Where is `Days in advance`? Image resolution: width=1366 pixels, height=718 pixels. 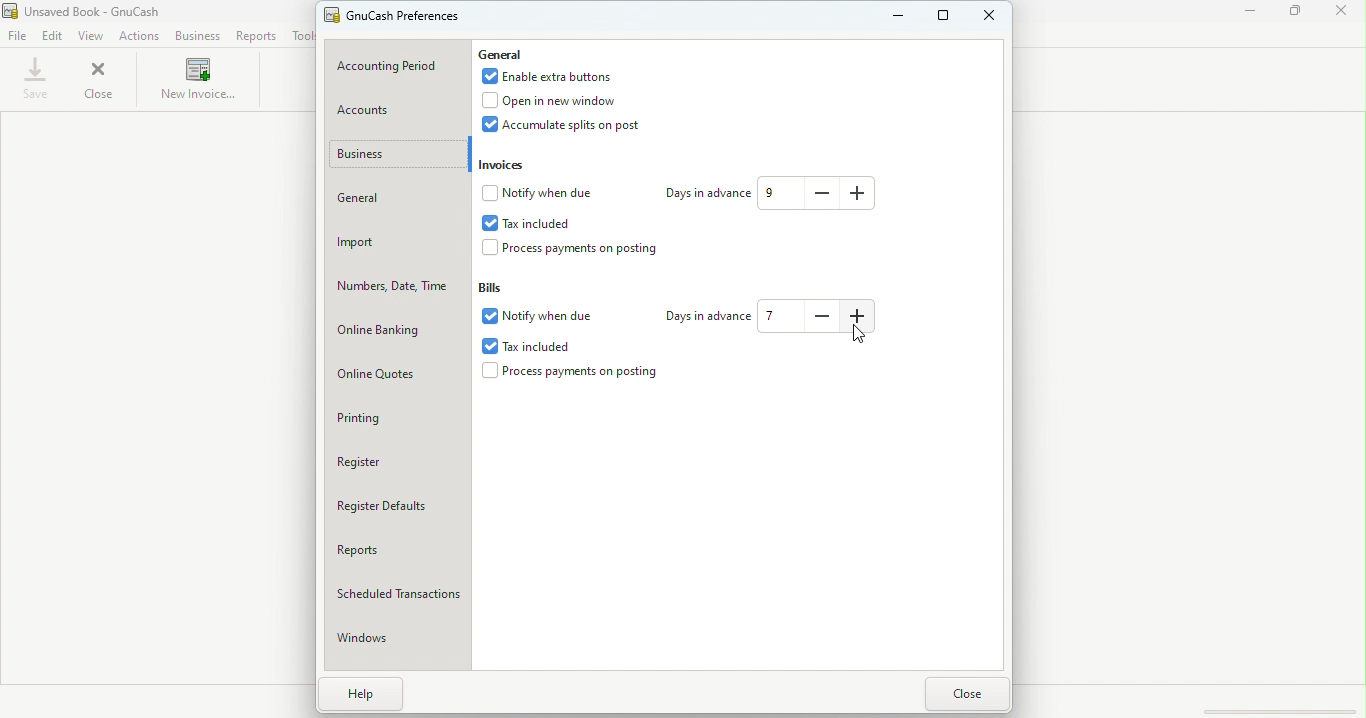
Days in advance is located at coordinates (709, 317).